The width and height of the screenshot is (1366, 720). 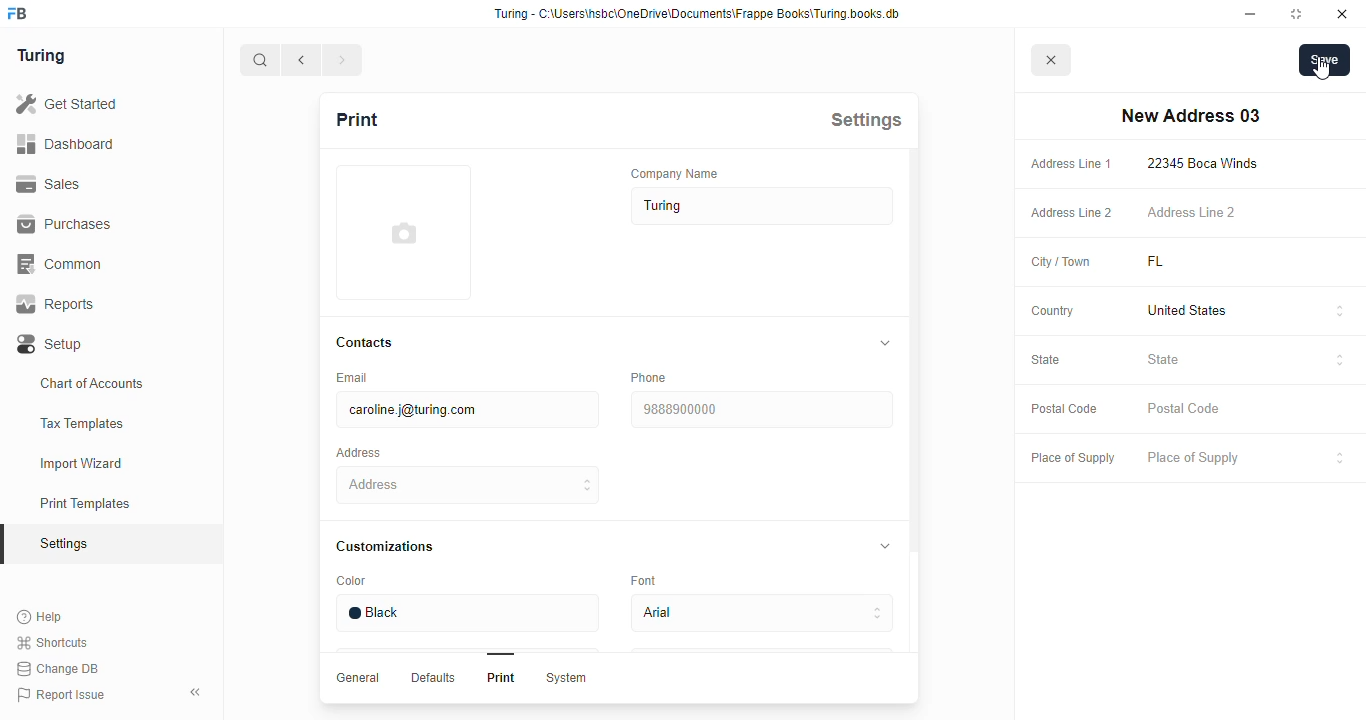 What do you see at coordinates (1190, 116) in the screenshot?
I see `new address 03` at bounding box center [1190, 116].